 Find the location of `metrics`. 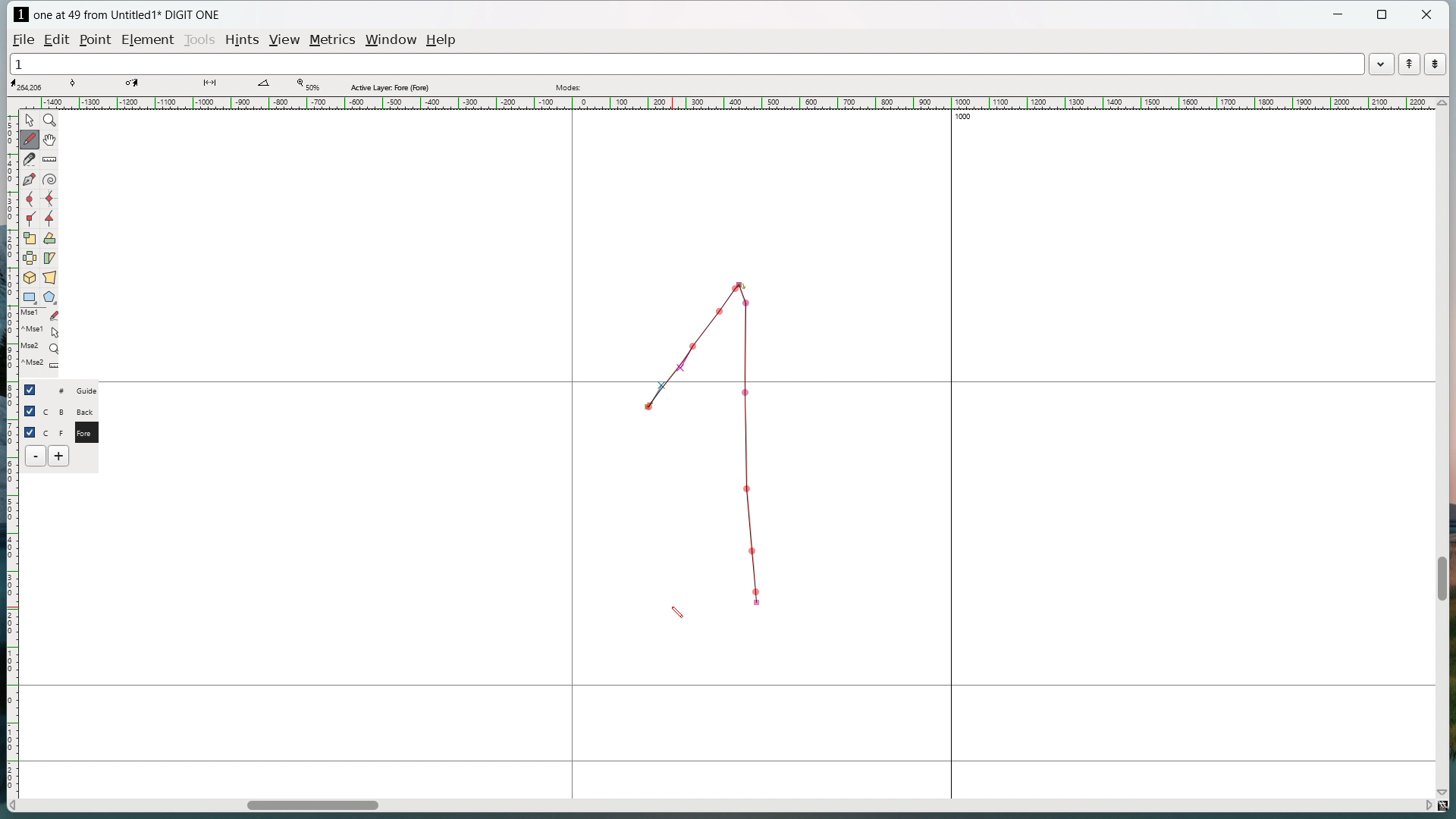

metrics is located at coordinates (334, 41).